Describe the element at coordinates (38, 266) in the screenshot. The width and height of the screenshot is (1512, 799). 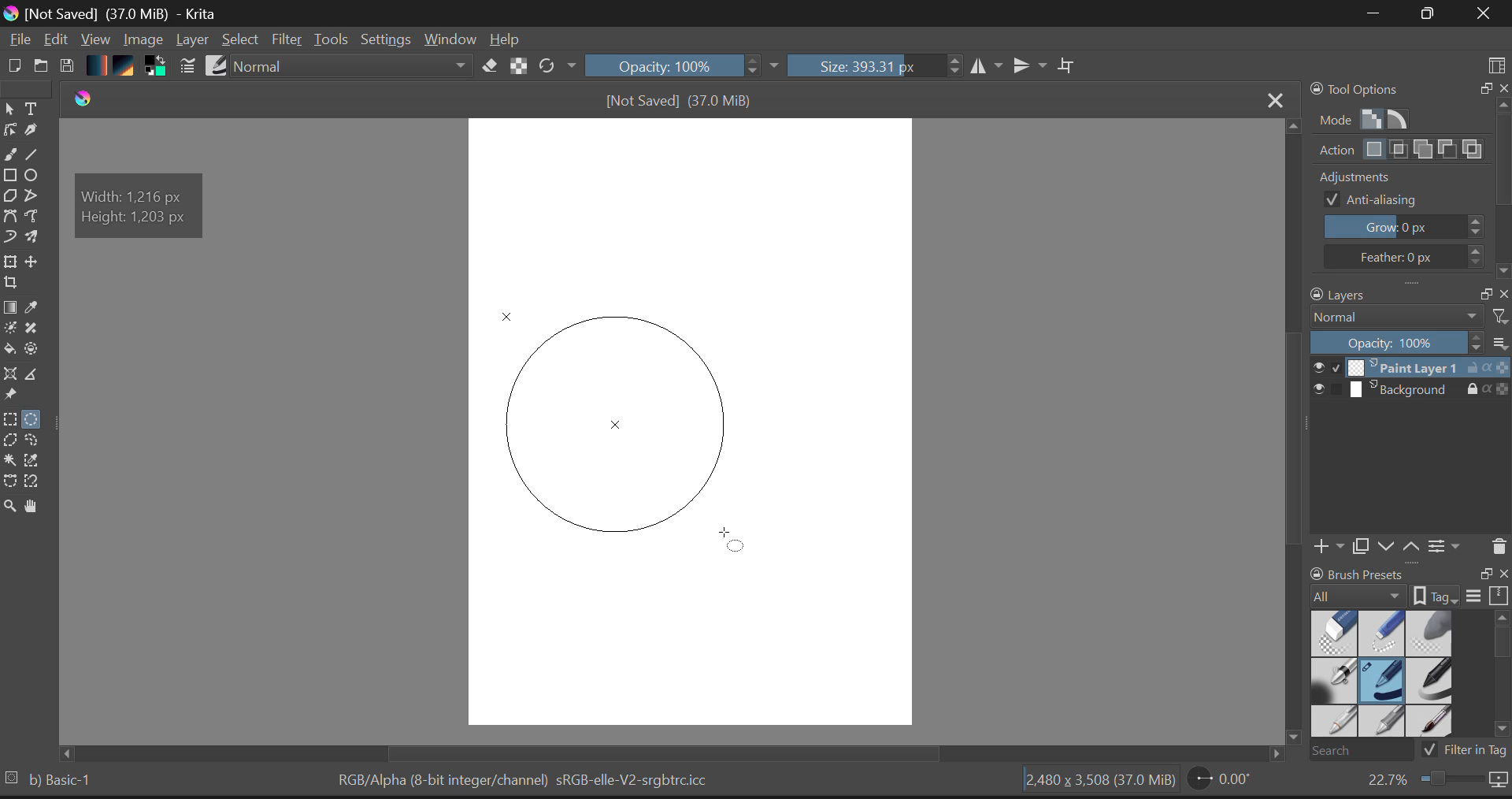
I see `Move Layer` at that location.